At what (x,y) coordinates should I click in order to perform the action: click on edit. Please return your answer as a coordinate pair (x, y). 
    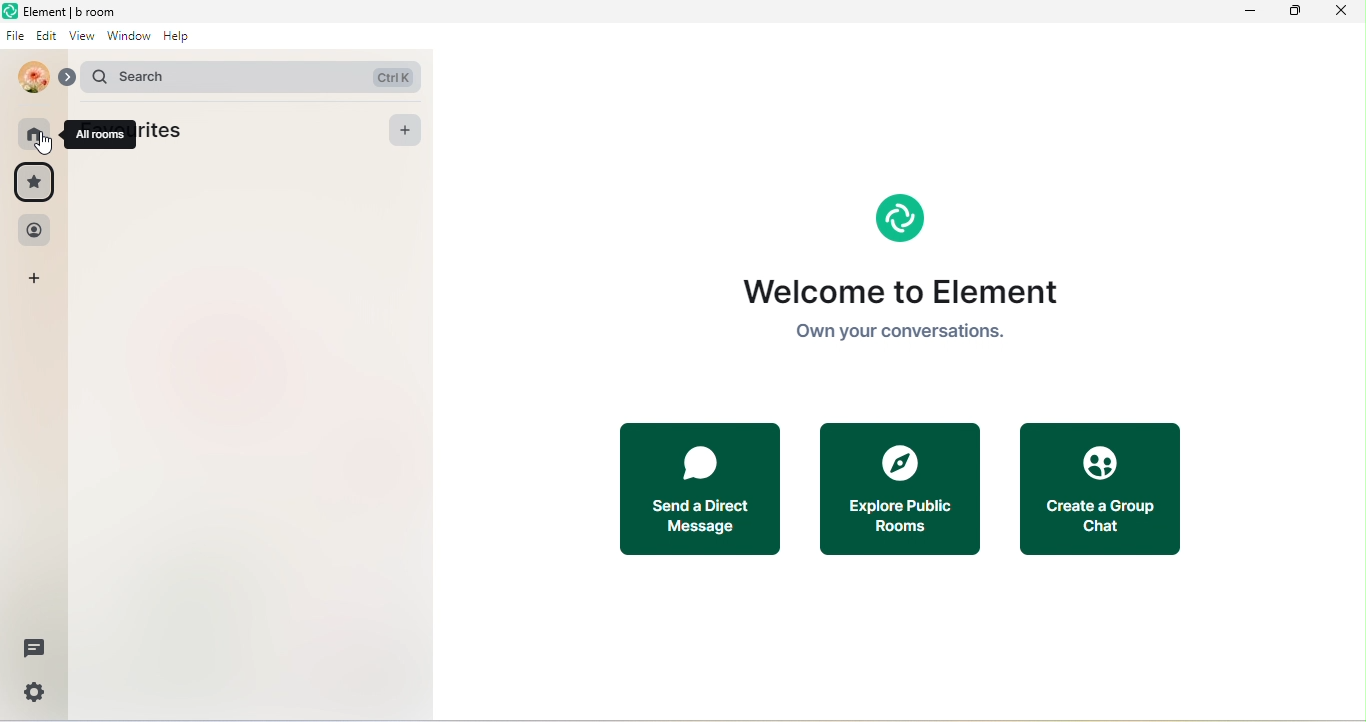
    Looking at the image, I should click on (47, 38).